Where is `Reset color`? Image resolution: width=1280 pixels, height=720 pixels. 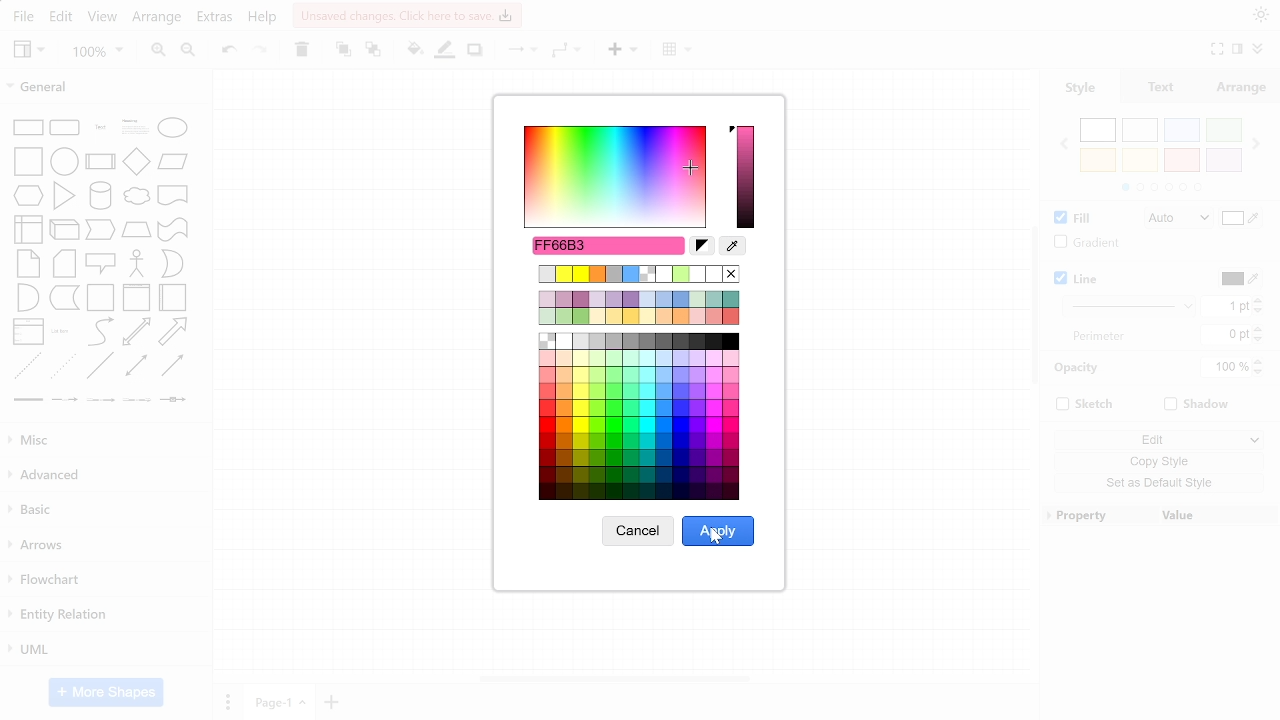
Reset color is located at coordinates (703, 246).